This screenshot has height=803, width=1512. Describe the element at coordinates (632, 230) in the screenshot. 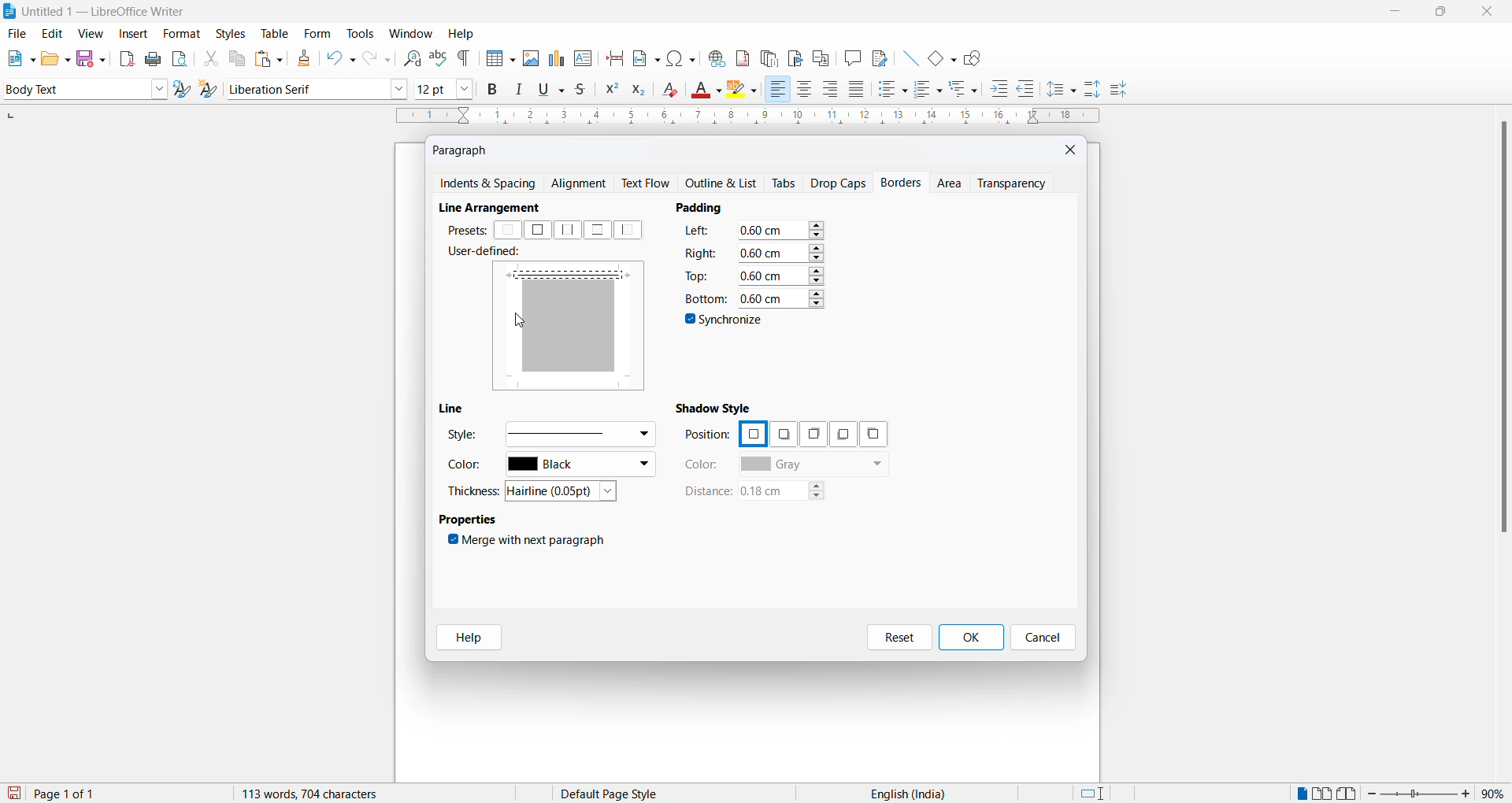

I see `left` at that location.